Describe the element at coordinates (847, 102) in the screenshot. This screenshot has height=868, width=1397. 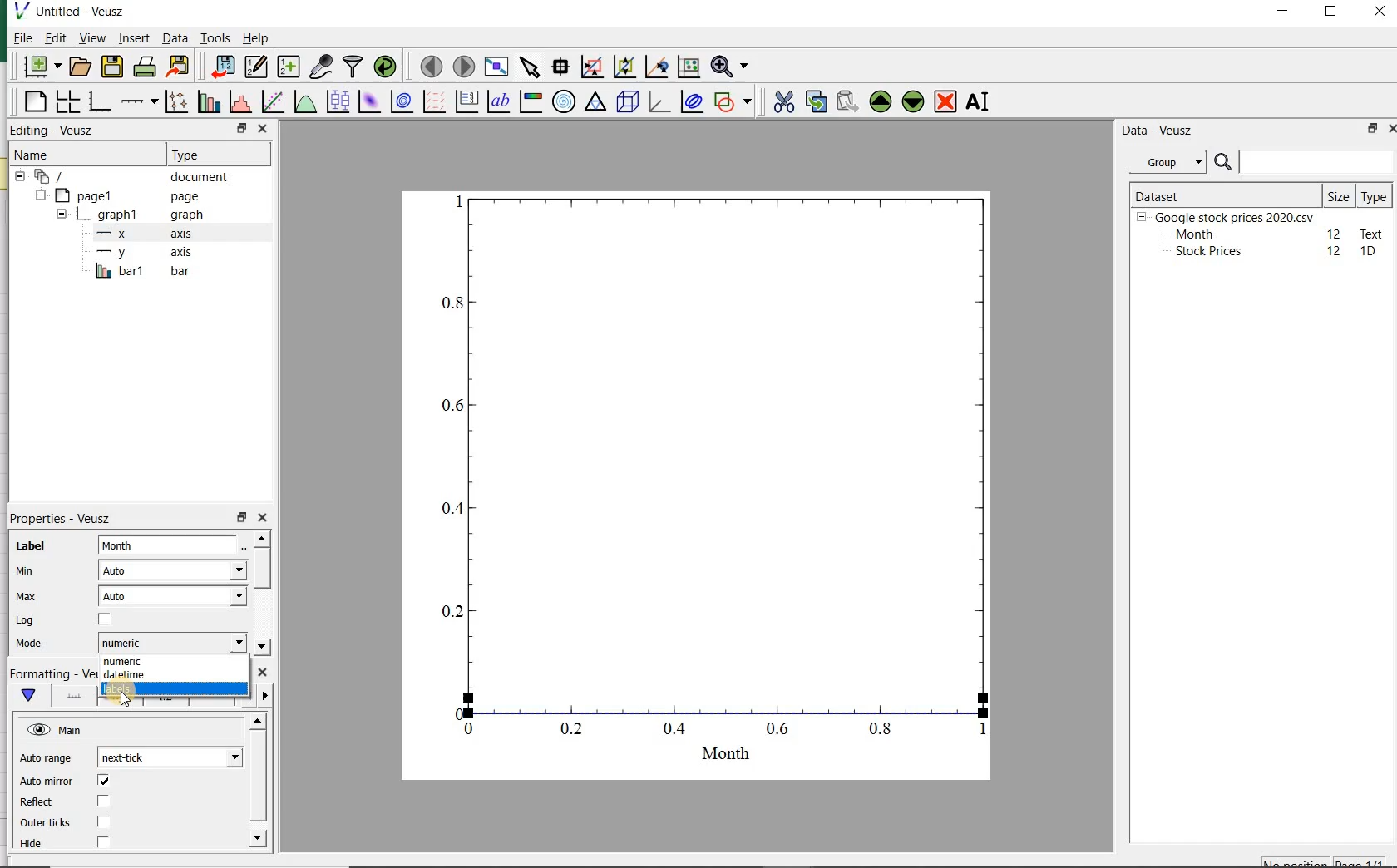
I see `paste widget from the clipboard` at that location.